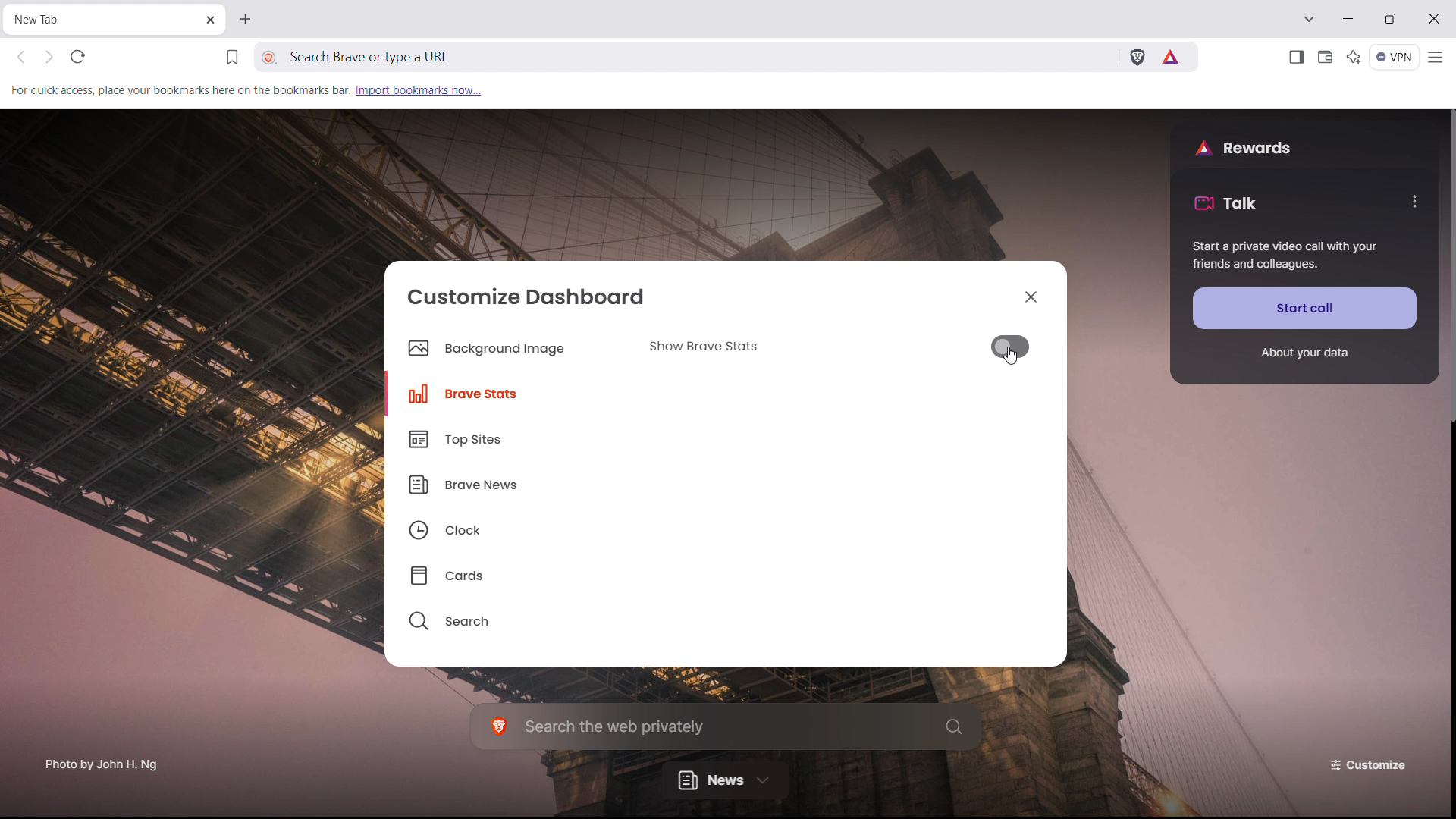 The image size is (1456, 819). Describe the element at coordinates (1437, 58) in the screenshot. I see `customize and control` at that location.